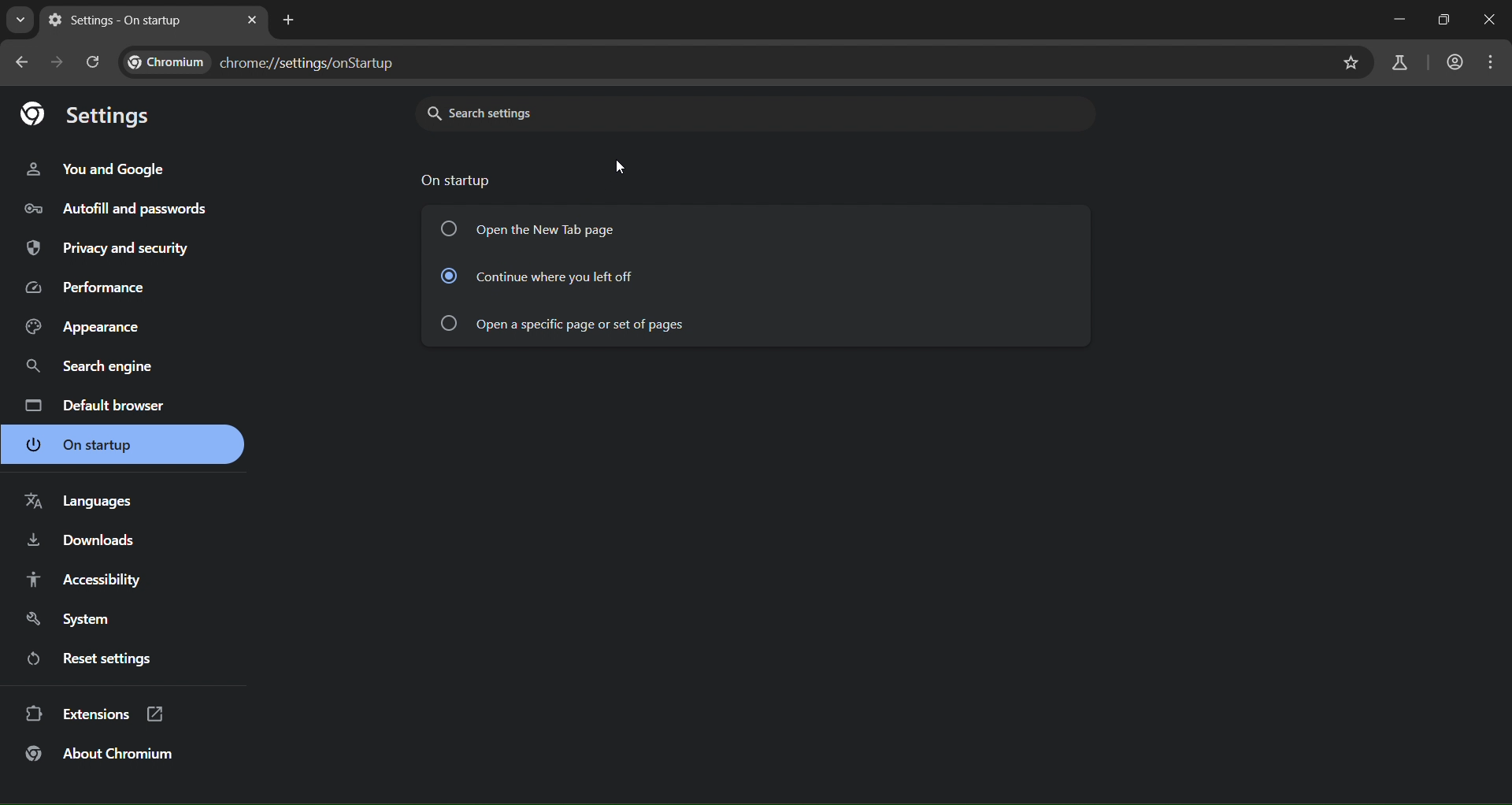 This screenshot has height=805, width=1512. Describe the element at coordinates (86, 289) in the screenshot. I see `performance` at that location.